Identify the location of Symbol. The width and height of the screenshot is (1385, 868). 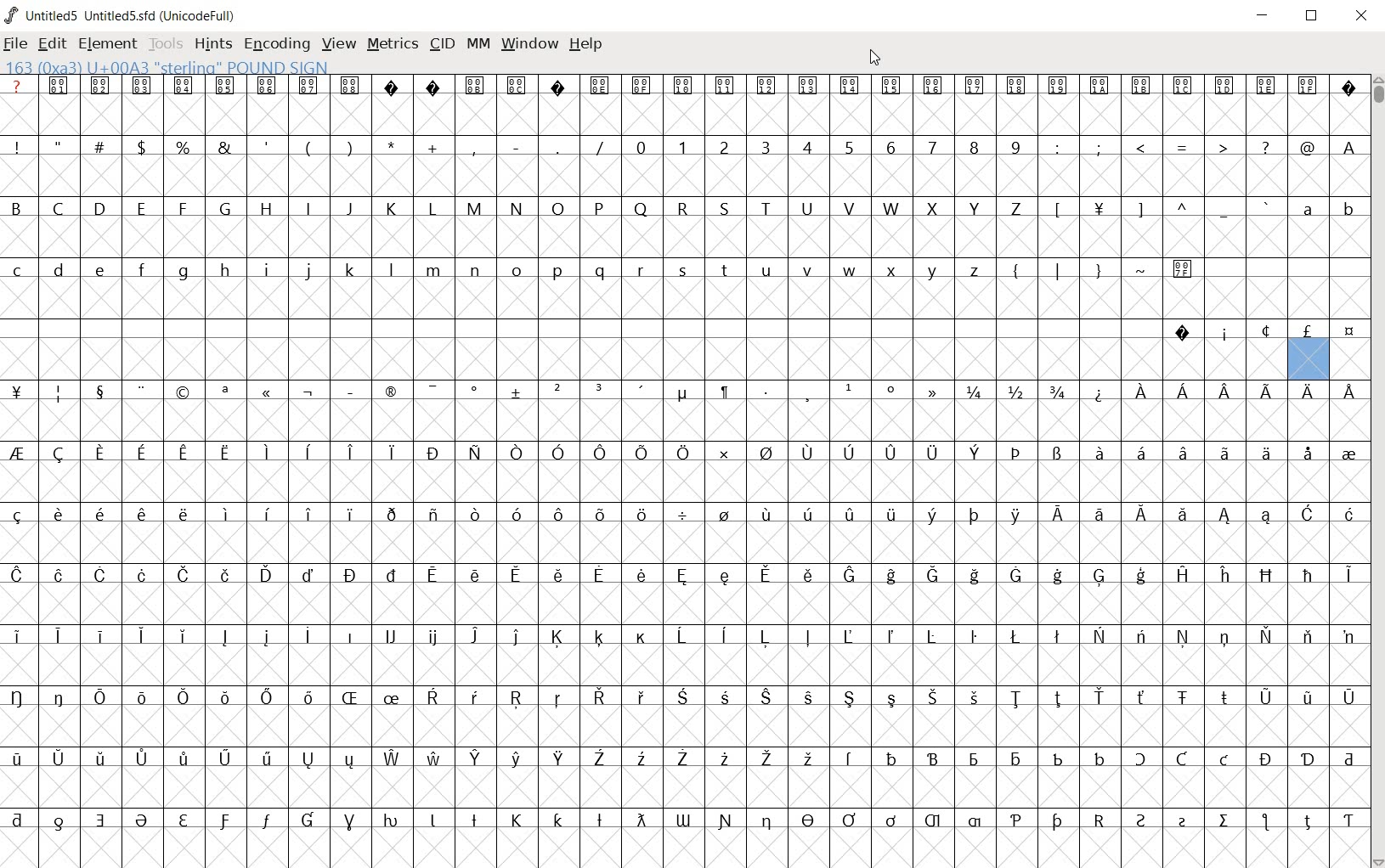
(600, 86).